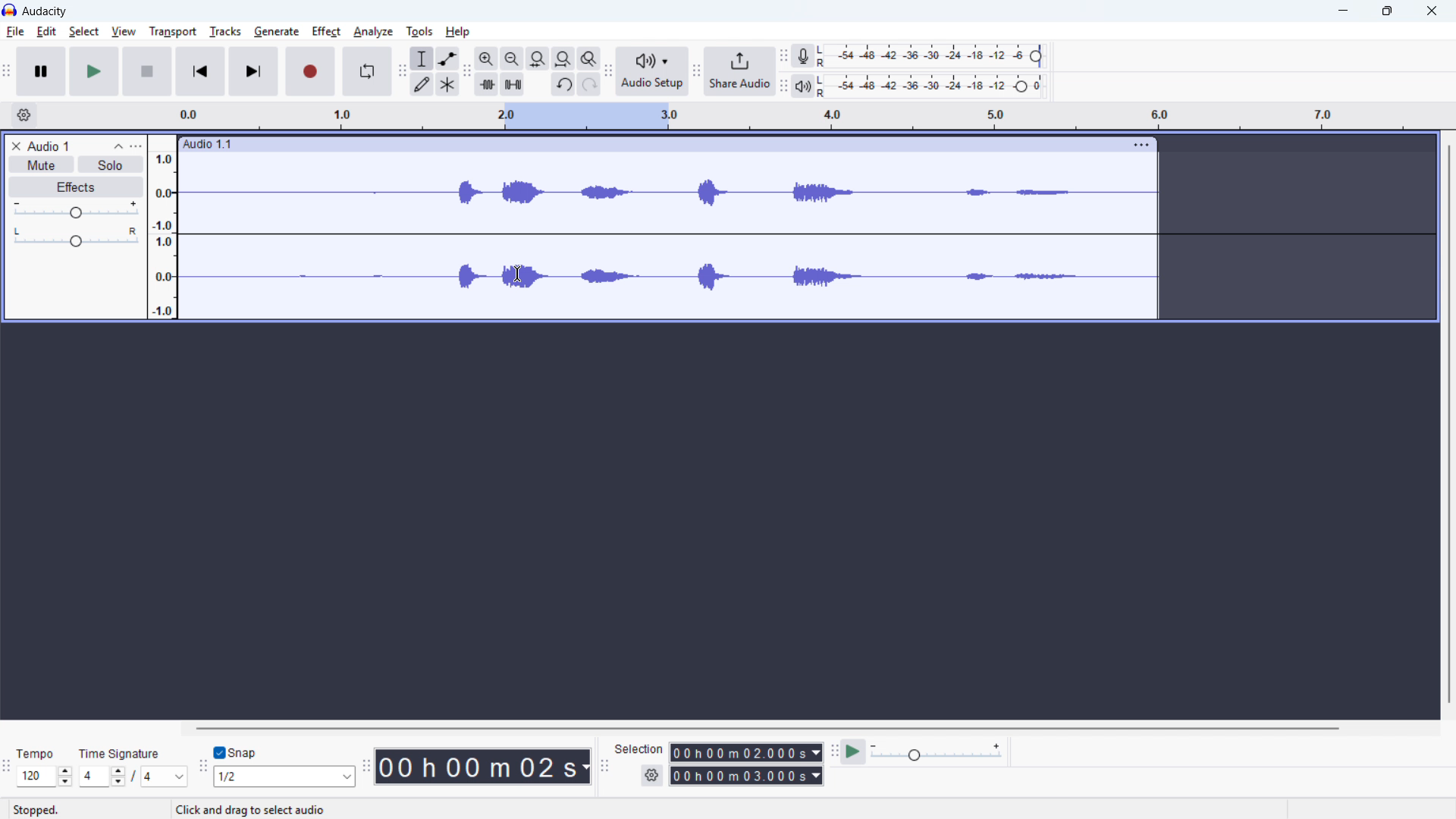 Image resolution: width=1456 pixels, height=819 pixels. I want to click on Gain, so click(76, 209).